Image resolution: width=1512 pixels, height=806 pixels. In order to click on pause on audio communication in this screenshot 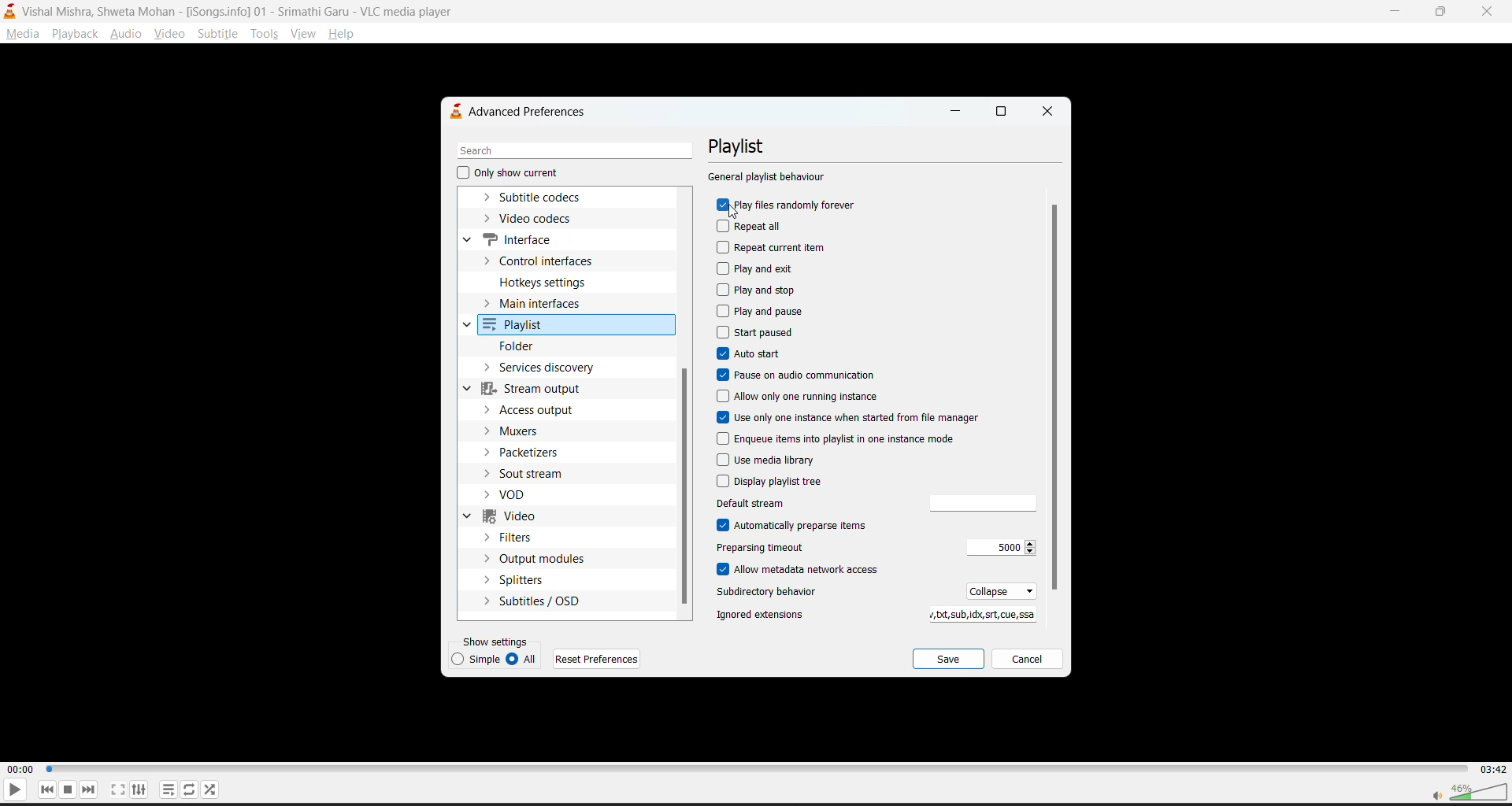, I will do `click(794, 377)`.